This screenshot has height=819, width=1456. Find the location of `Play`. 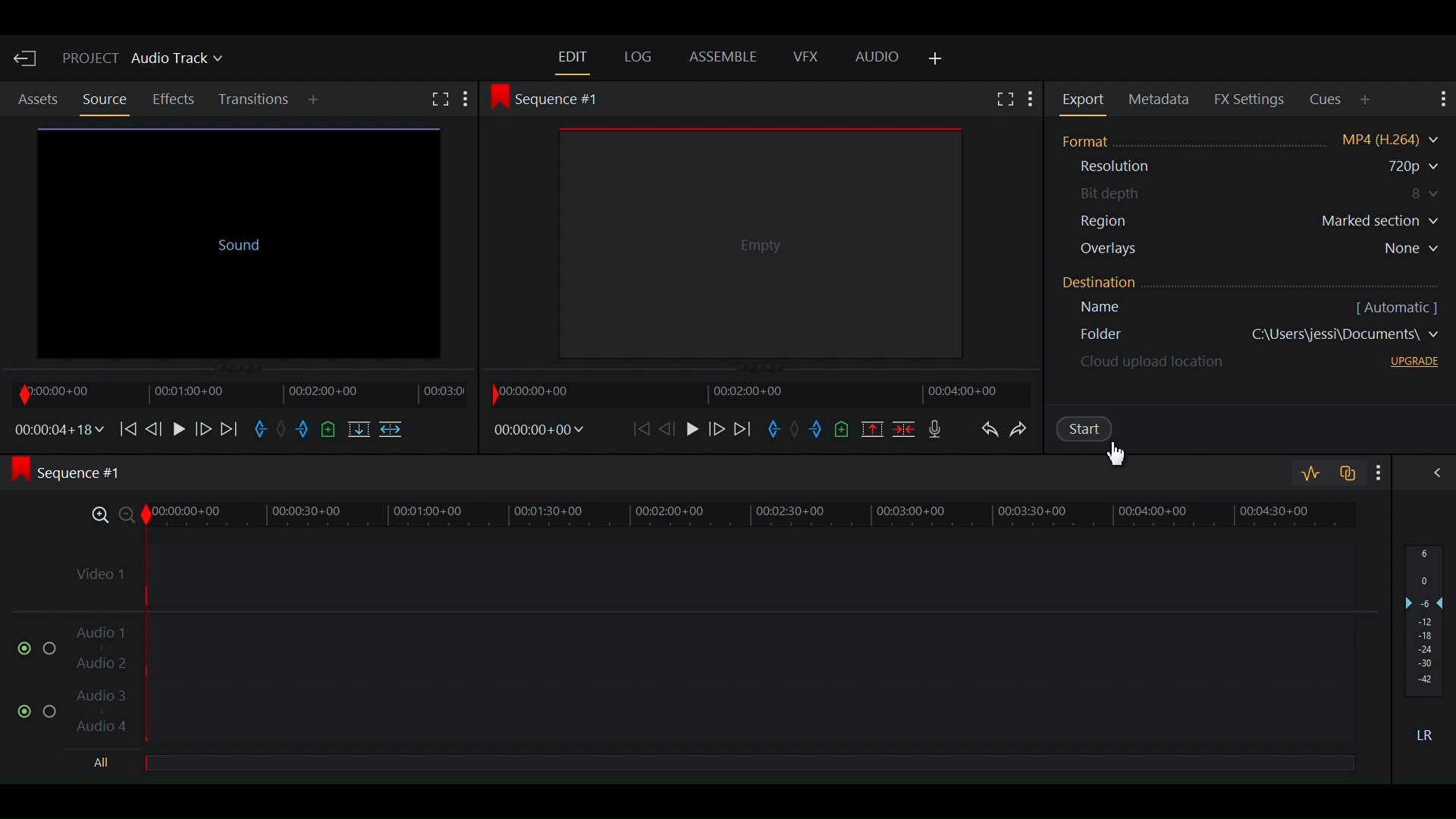

Play is located at coordinates (693, 428).